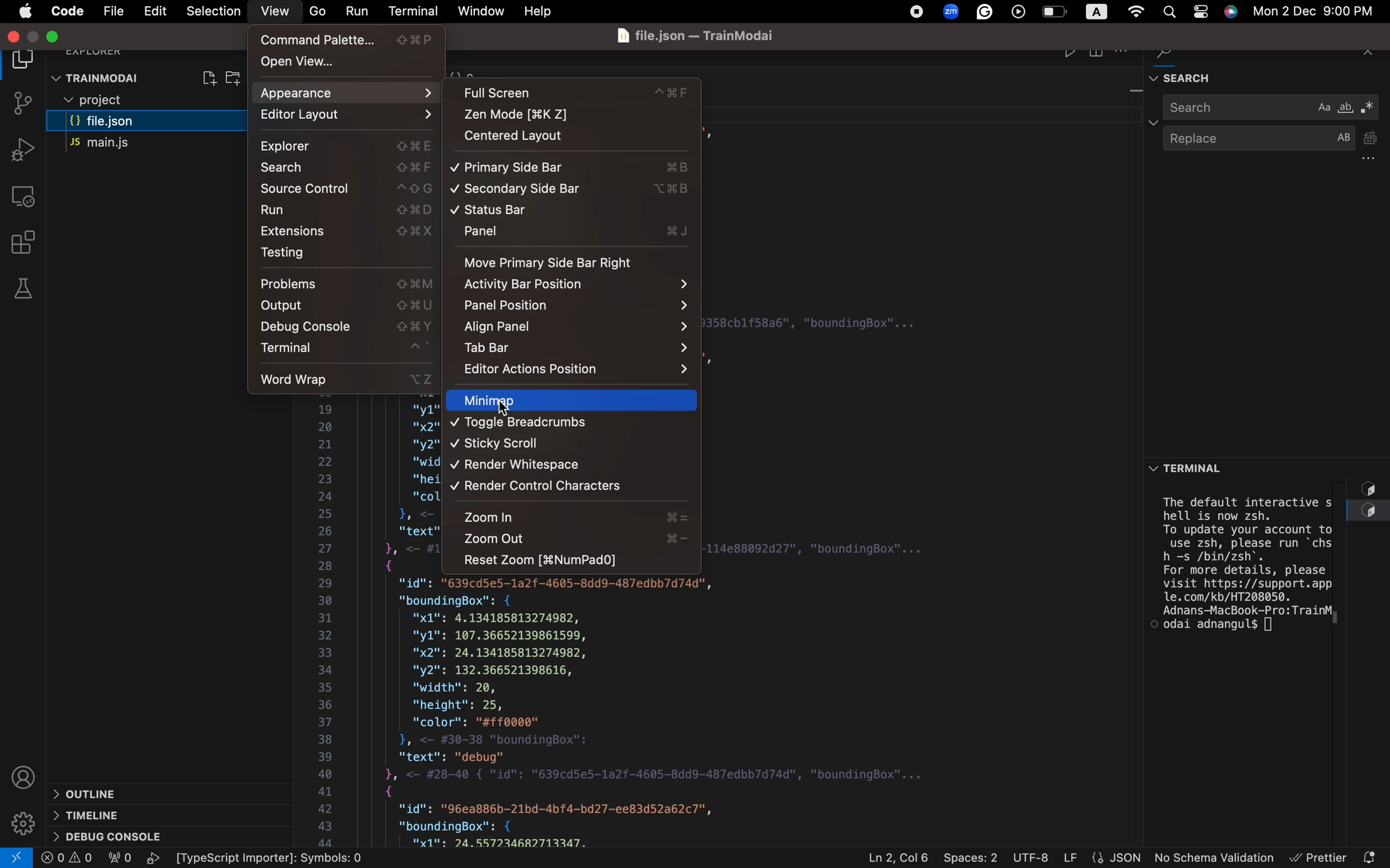  I want to click on help, so click(543, 11).